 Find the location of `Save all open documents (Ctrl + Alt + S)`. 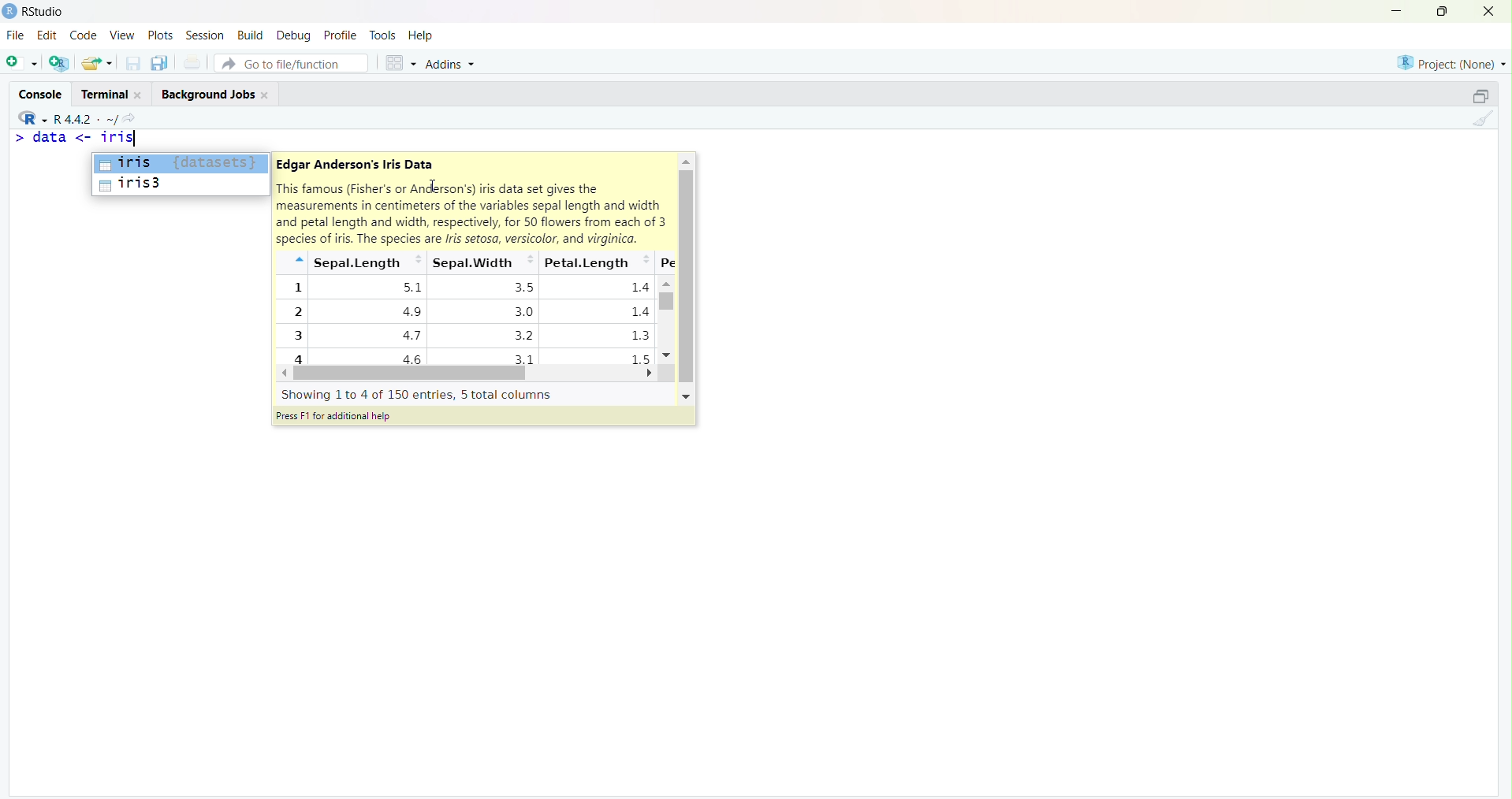

Save all open documents (Ctrl + Alt + S) is located at coordinates (158, 61).